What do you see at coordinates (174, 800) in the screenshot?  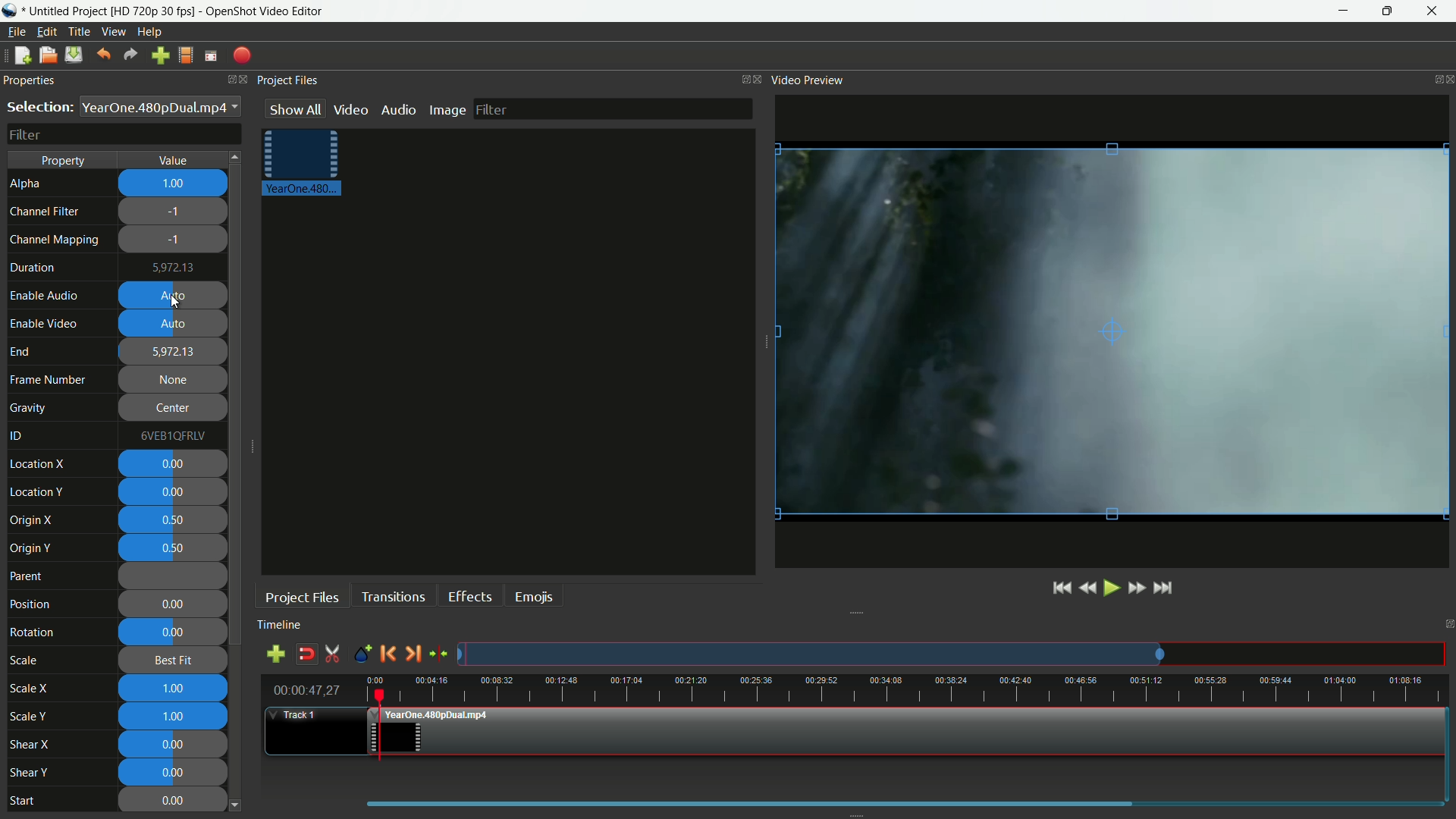 I see `0.00` at bounding box center [174, 800].